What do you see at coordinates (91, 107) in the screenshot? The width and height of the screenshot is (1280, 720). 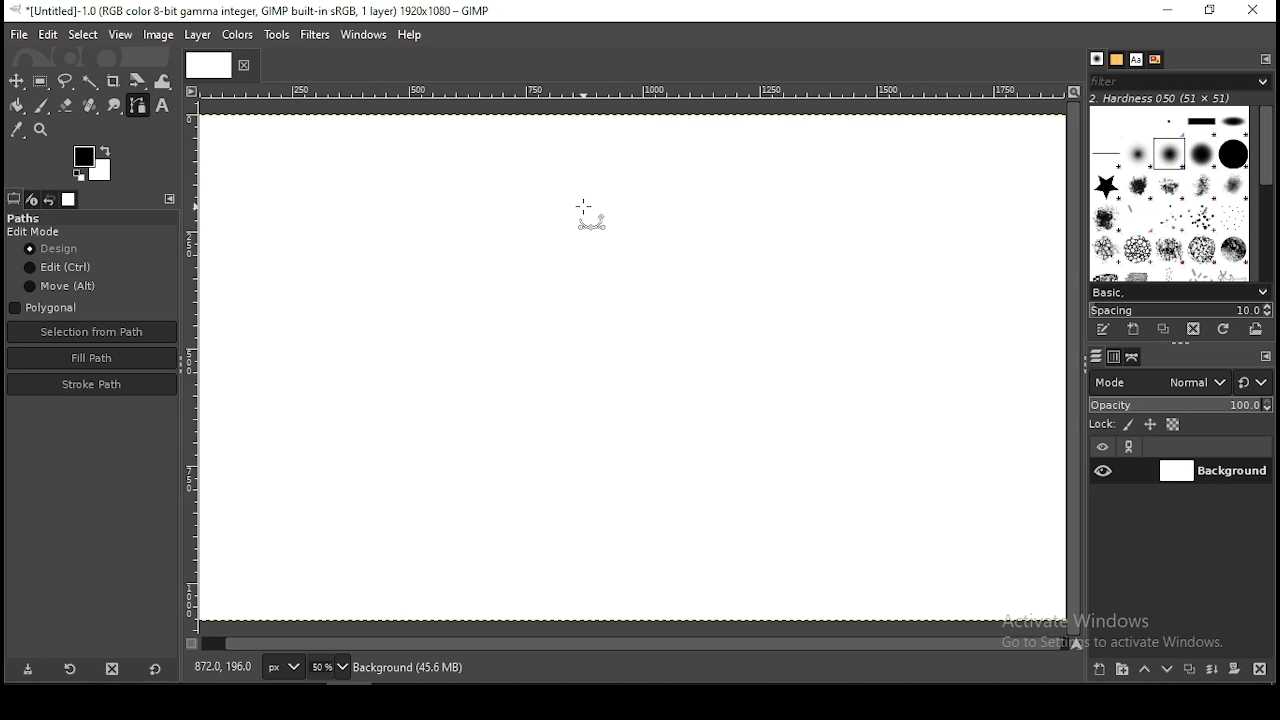 I see `heal tool` at bounding box center [91, 107].